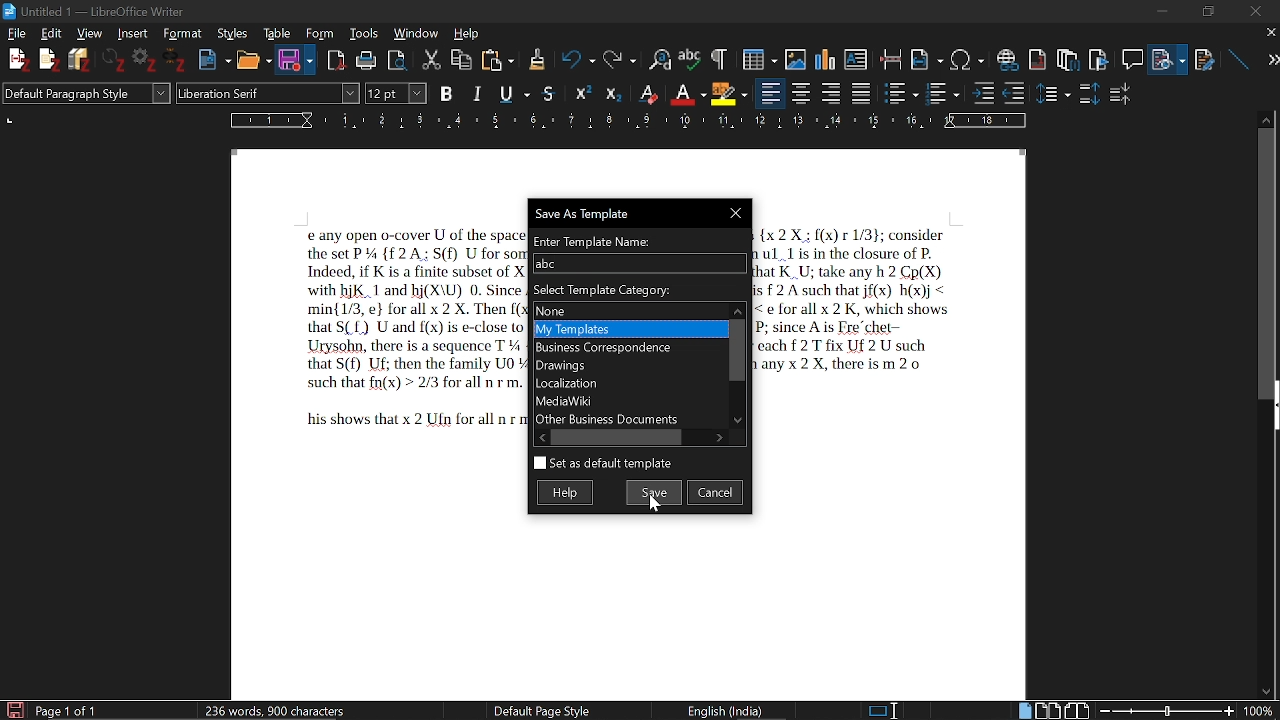 The image size is (1280, 720). I want to click on align left, so click(771, 92).